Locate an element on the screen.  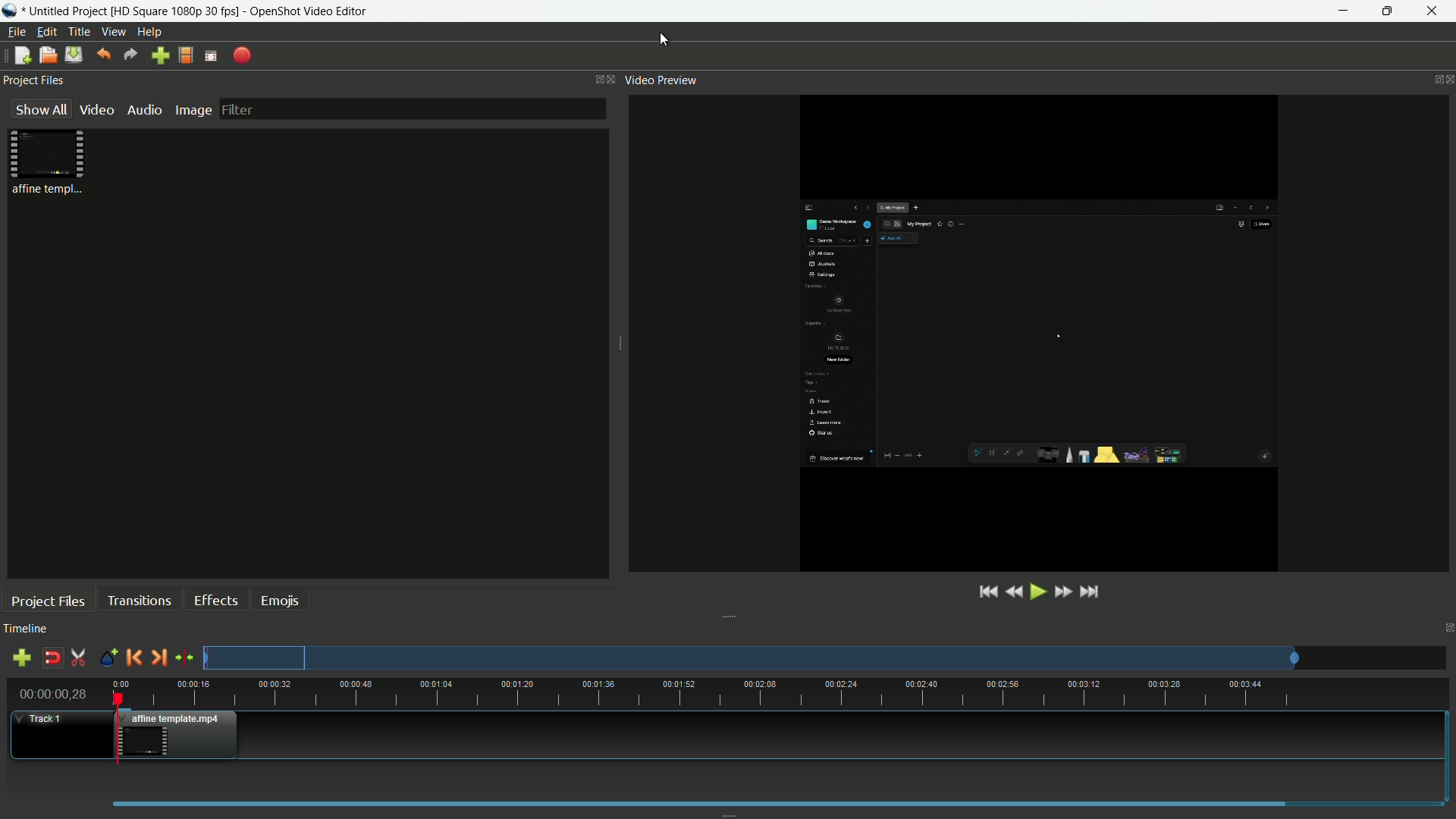
enable razor is located at coordinates (79, 657).